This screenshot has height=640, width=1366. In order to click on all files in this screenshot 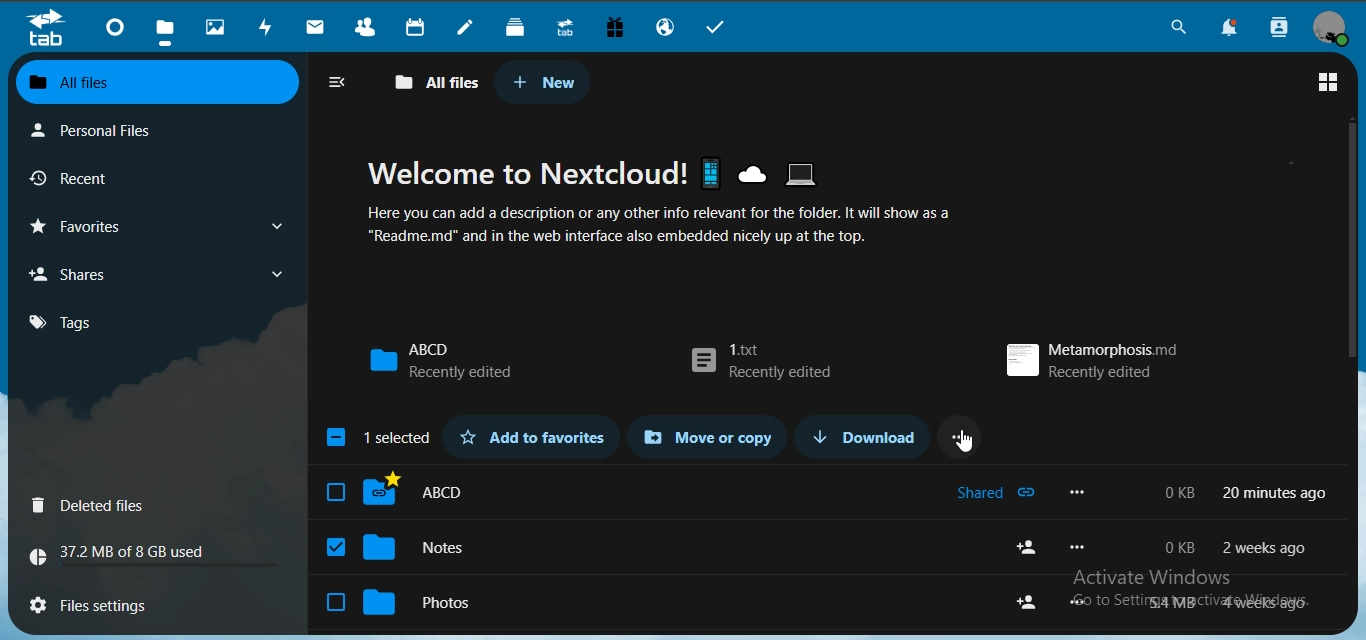, I will do `click(155, 80)`.